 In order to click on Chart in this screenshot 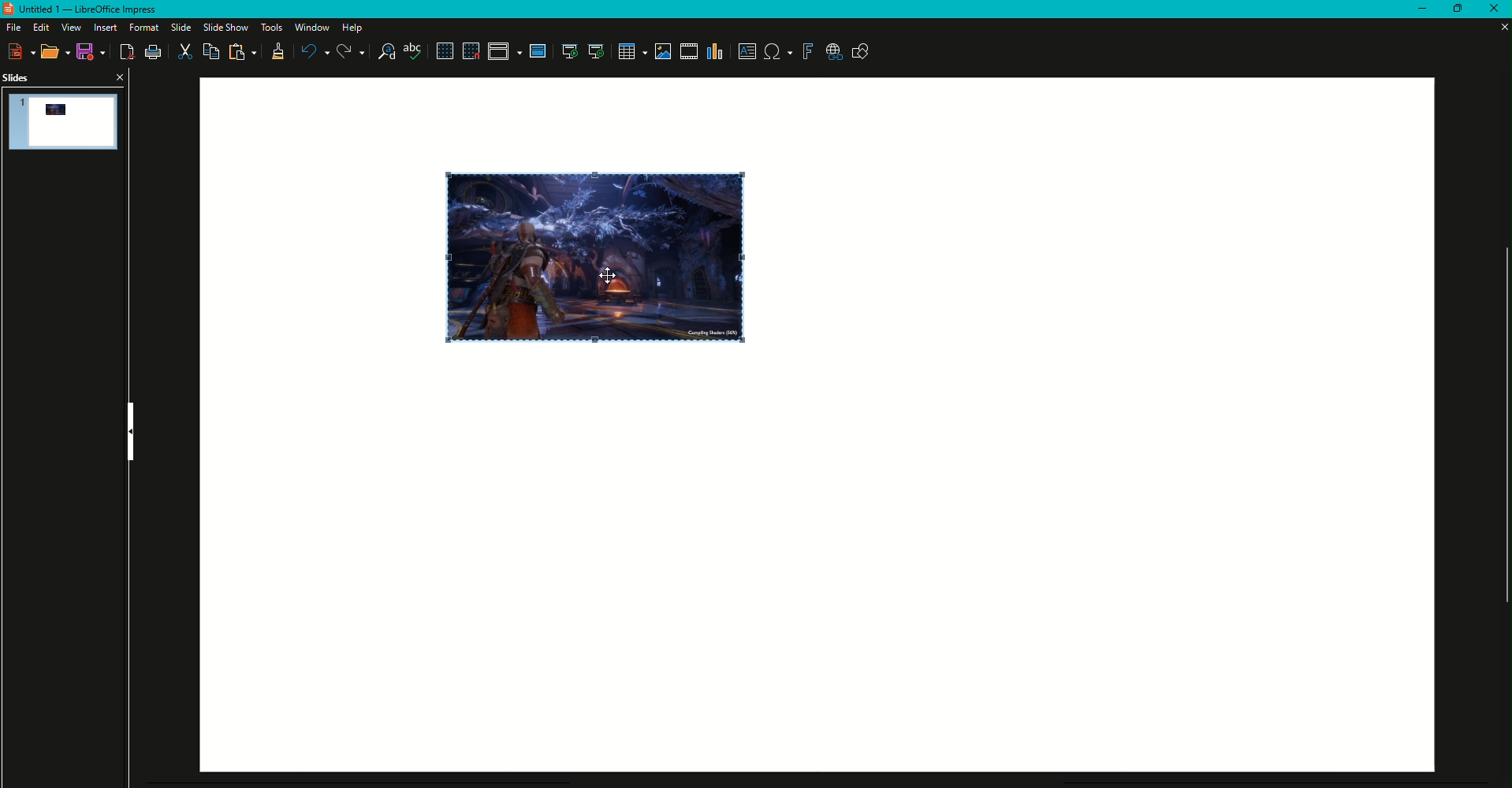, I will do `click(716, 52)`.